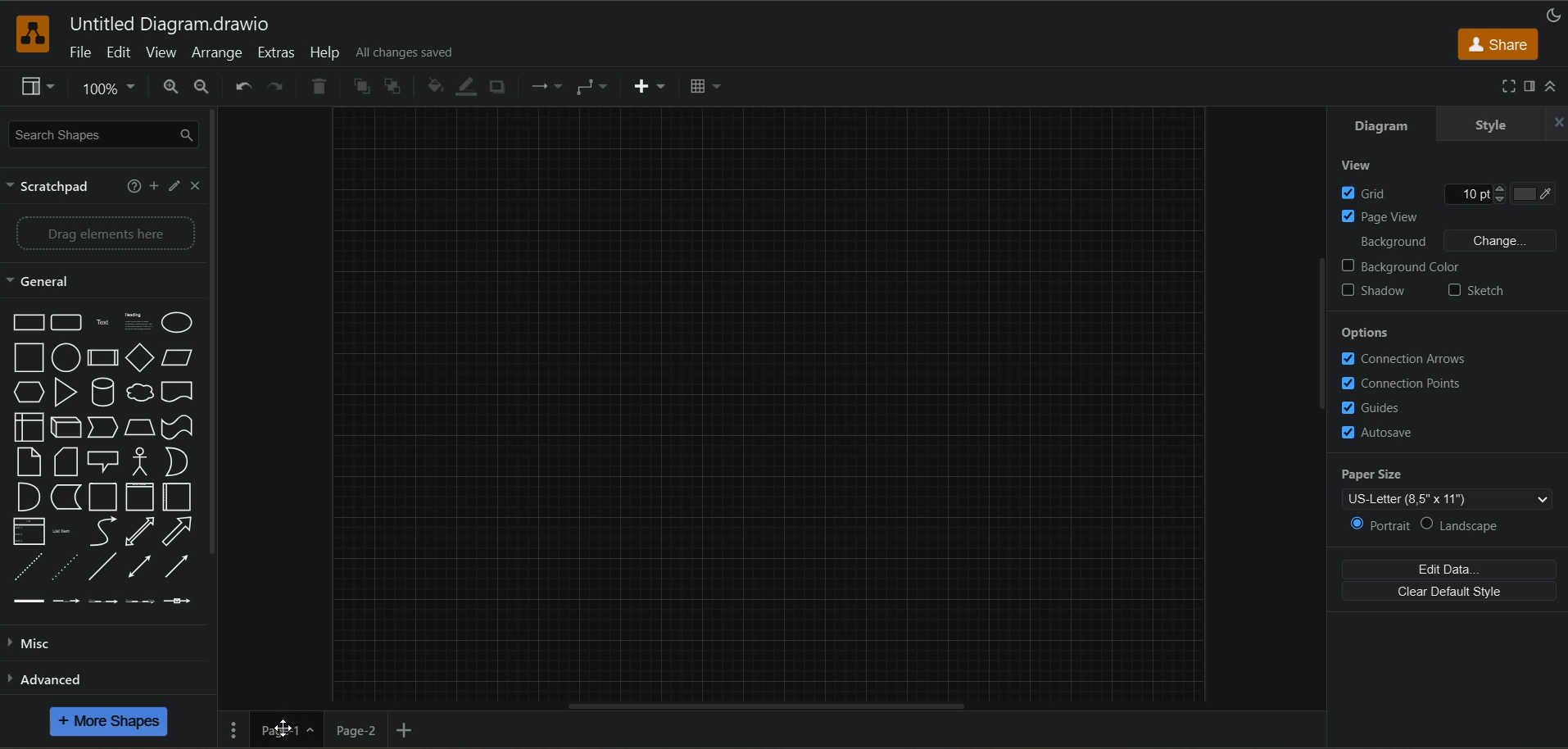 The image size is (1568, 749). What do you see at coordinates (131, 186) in the screenshot?
I see `help` at bounding box center [131, 186].